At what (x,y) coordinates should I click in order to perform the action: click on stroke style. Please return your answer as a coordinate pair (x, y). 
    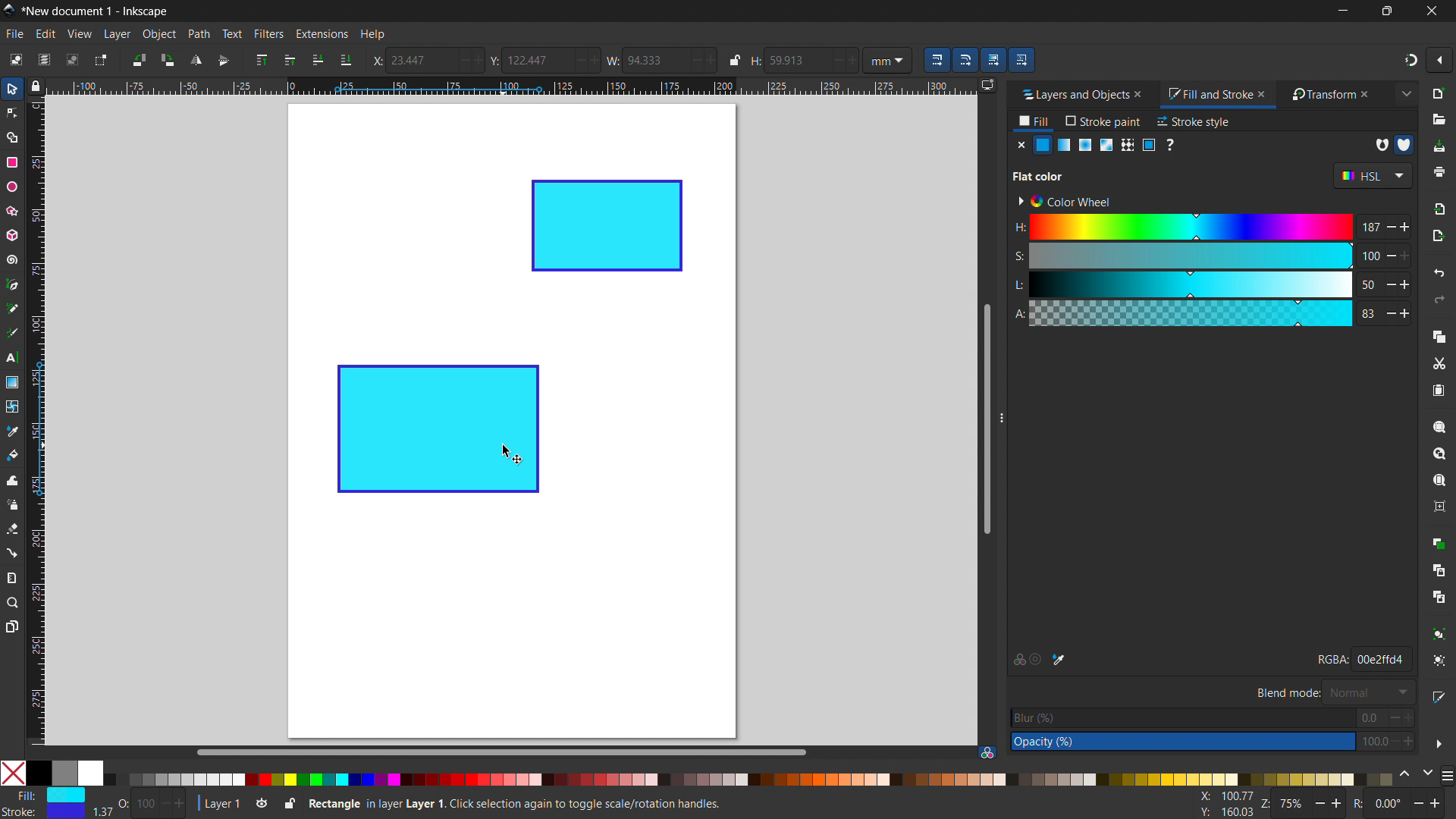
    Looking at the image, I should click on (1194, 121).